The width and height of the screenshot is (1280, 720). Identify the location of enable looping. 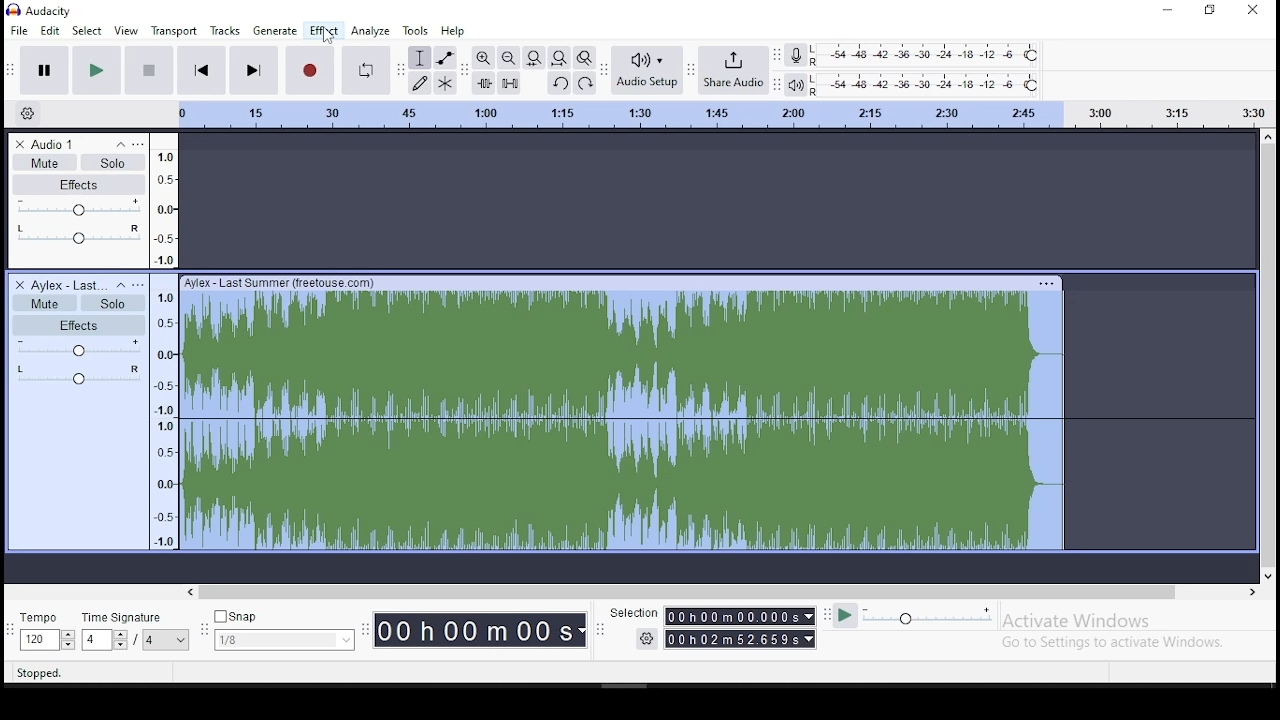
(366, 70).